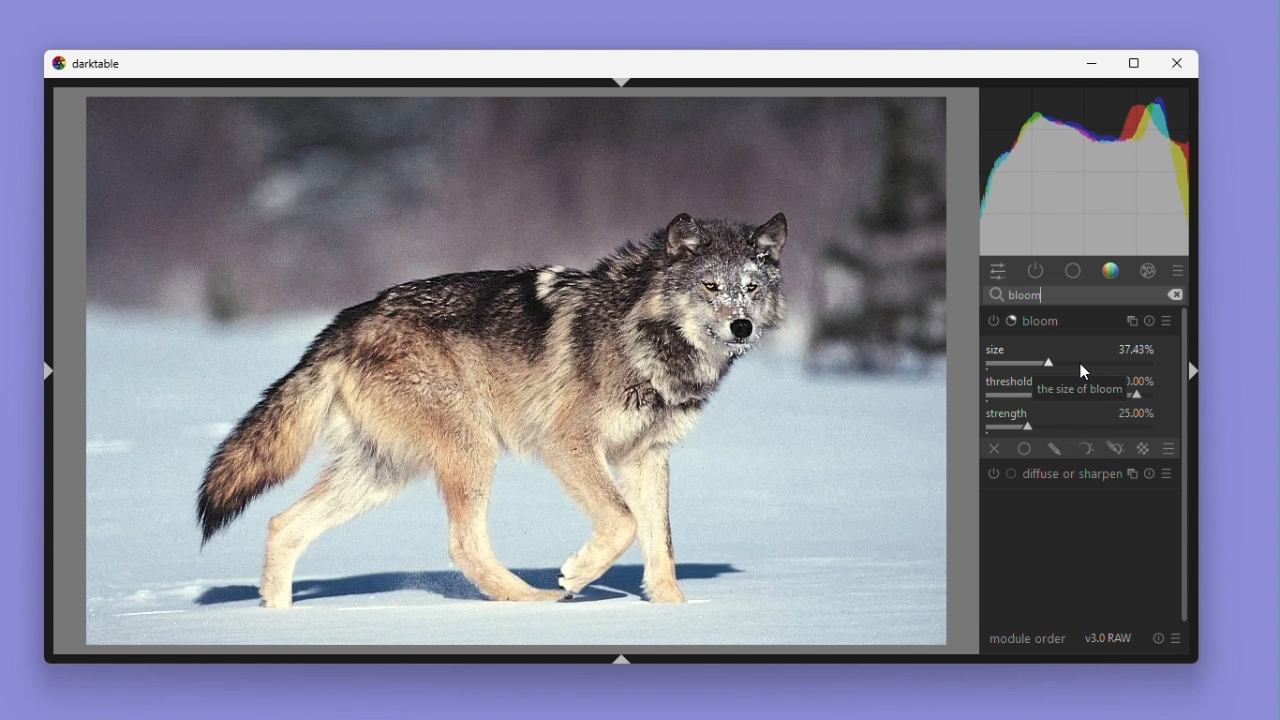 The width and height of the screenshot is (1280, 720). Describe the element at coordinates (1147, 269) in the screenshot. I see `Effect` at that location.